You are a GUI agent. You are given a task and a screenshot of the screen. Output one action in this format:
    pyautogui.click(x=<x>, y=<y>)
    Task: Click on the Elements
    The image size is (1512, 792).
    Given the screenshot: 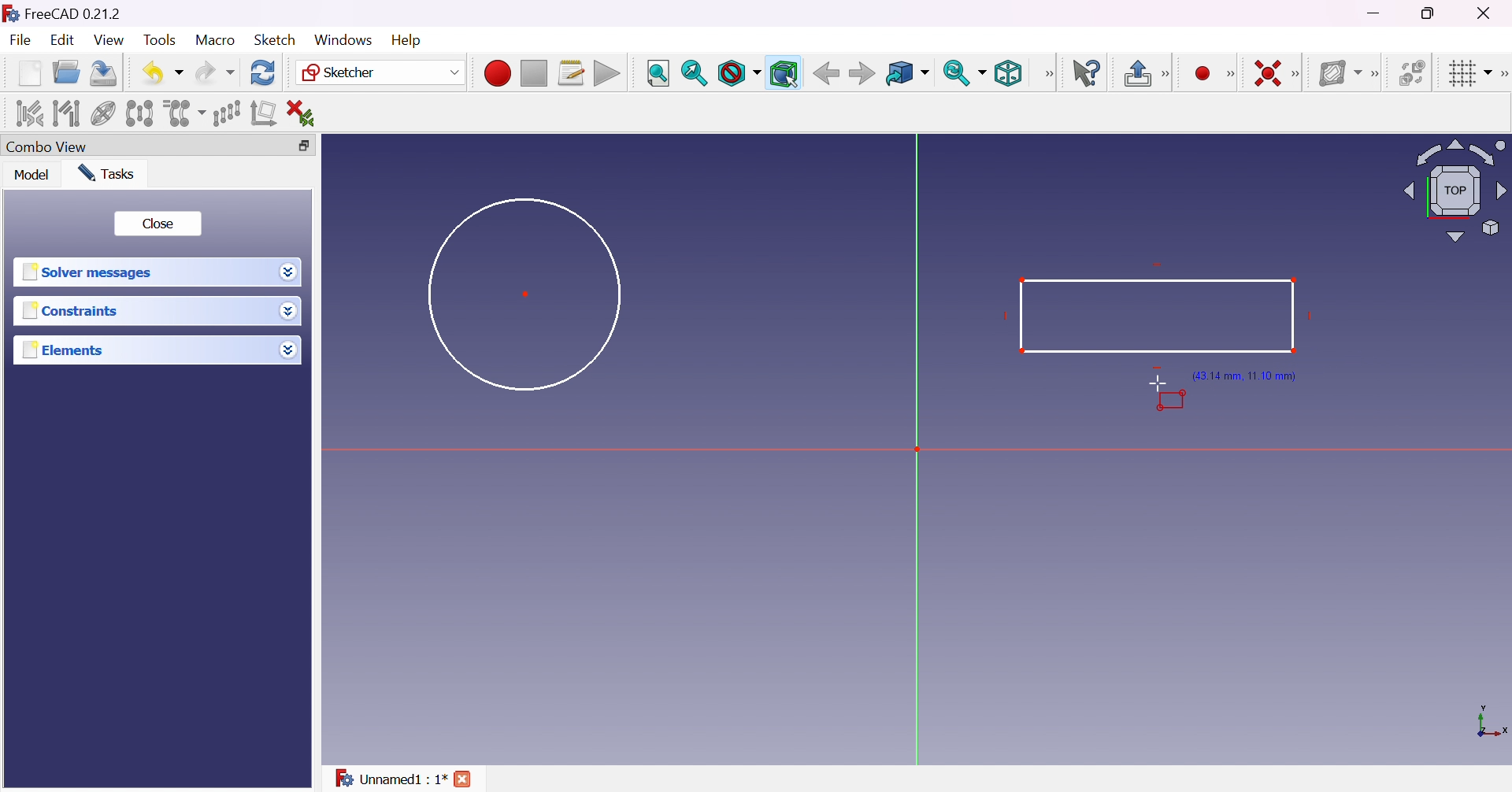 What is the action you would take?
    pyautogui.click(x=65, y=350)
    